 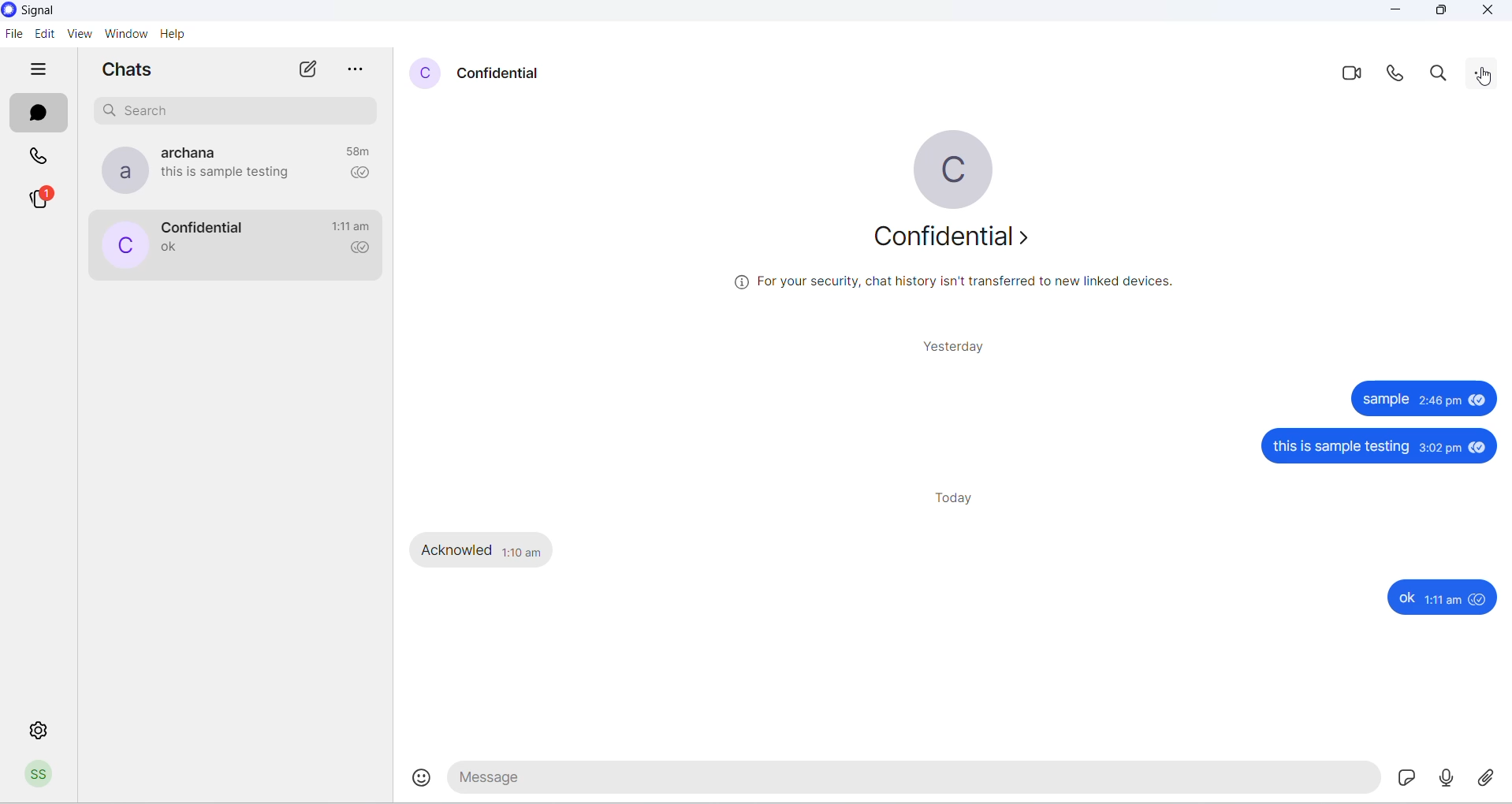 I want to click on about contact, so click(x=957, y=243).